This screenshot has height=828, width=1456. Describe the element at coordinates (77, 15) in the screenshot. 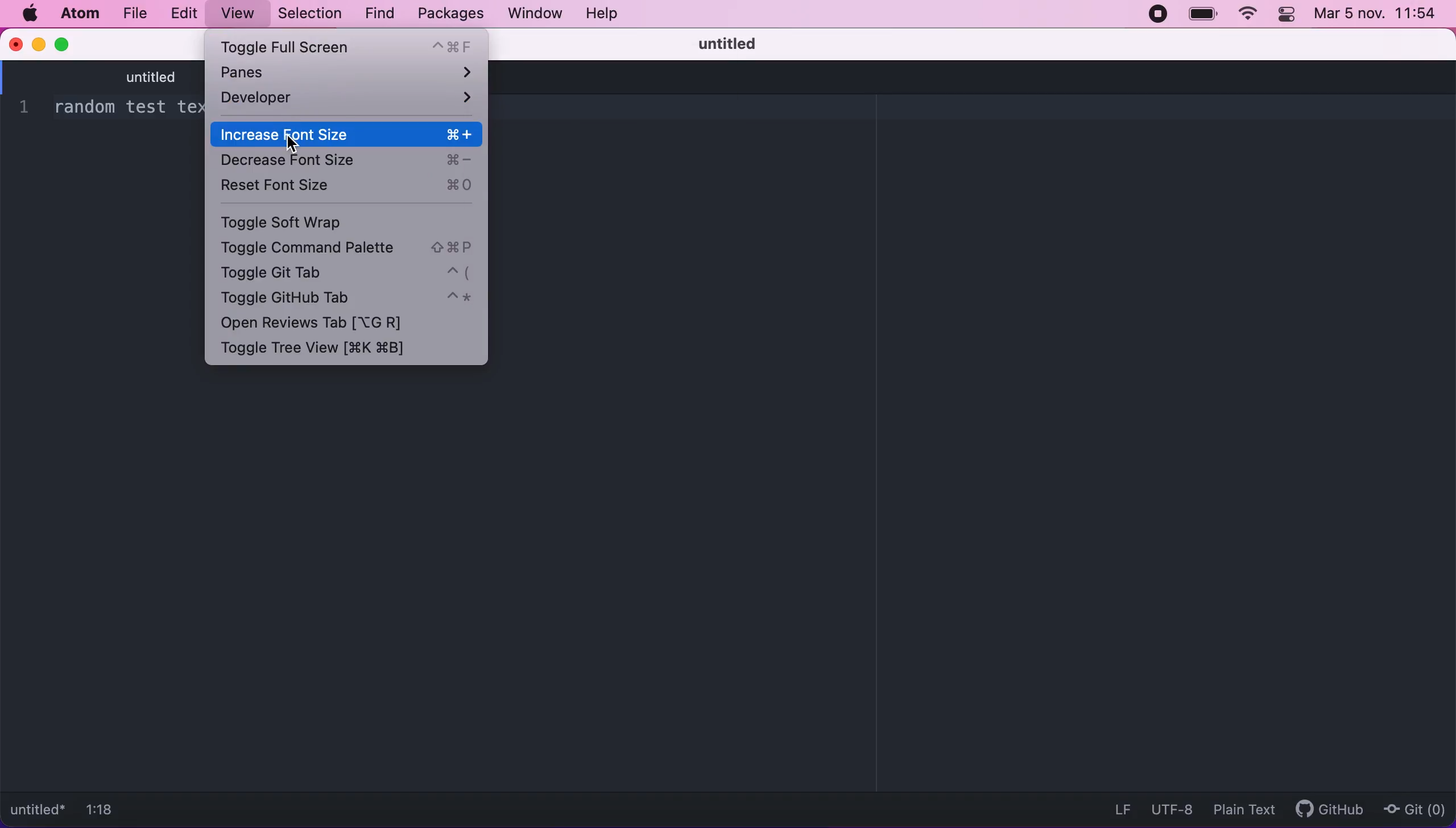

I see `atom` at that location.